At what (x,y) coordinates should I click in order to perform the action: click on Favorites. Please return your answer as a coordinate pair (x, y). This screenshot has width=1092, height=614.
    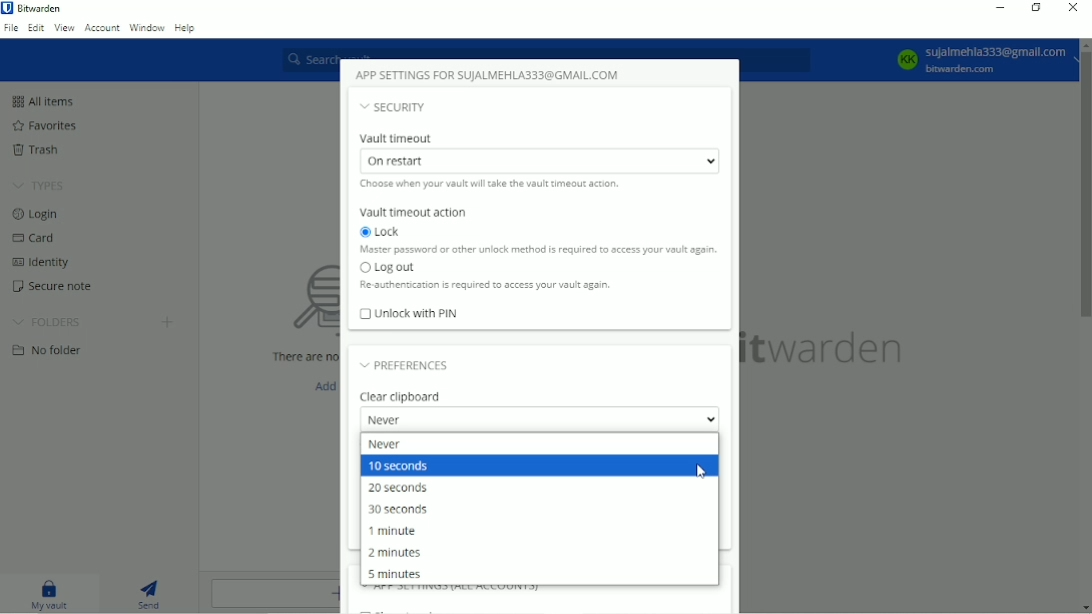
    Looking at the image, I should click on (54, 125).